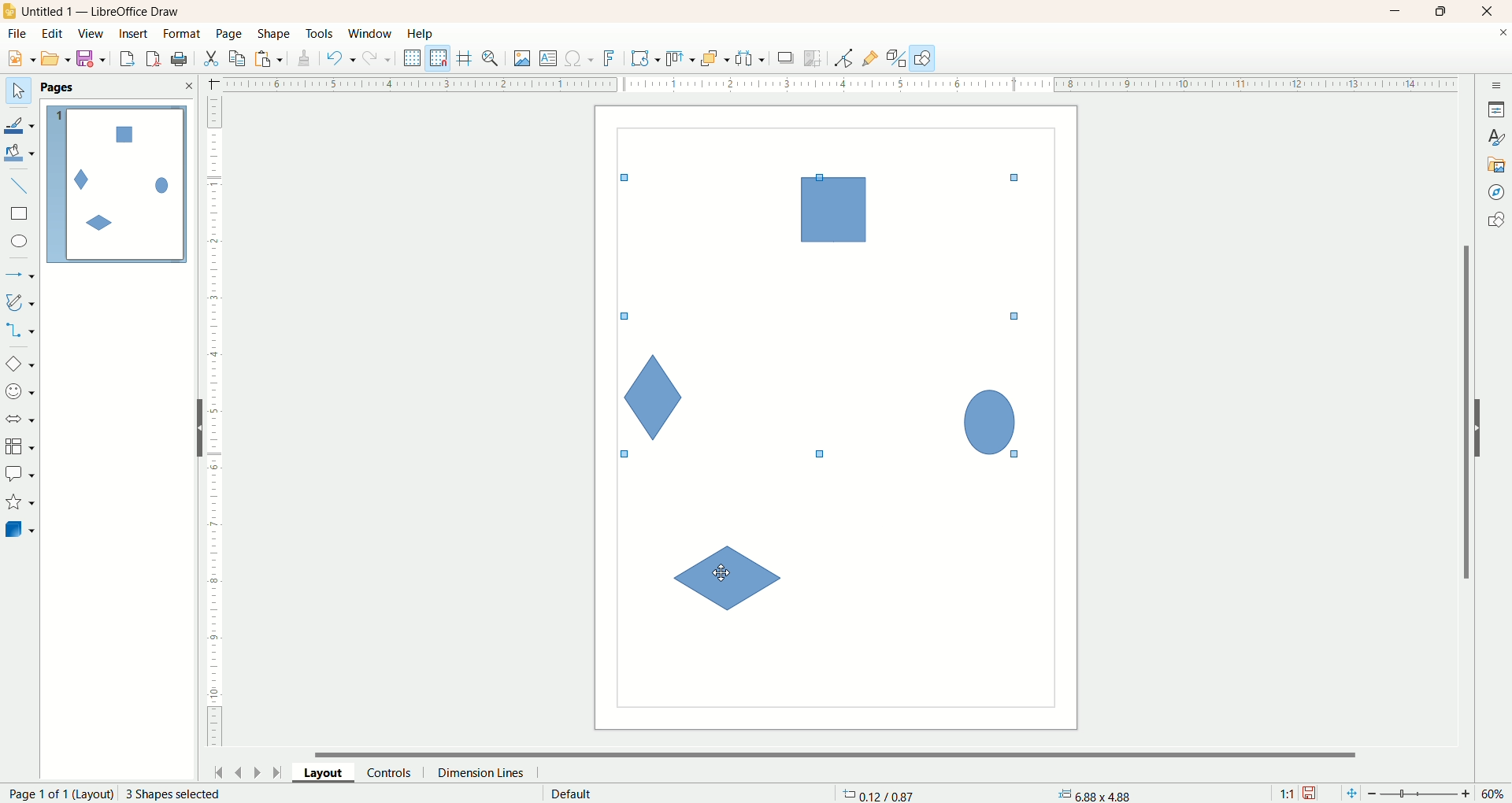 The height and width of the screenshot is (803, 1512). Describe the element at coordinates (56, 58) in the screenshot. I see `open` at that location.